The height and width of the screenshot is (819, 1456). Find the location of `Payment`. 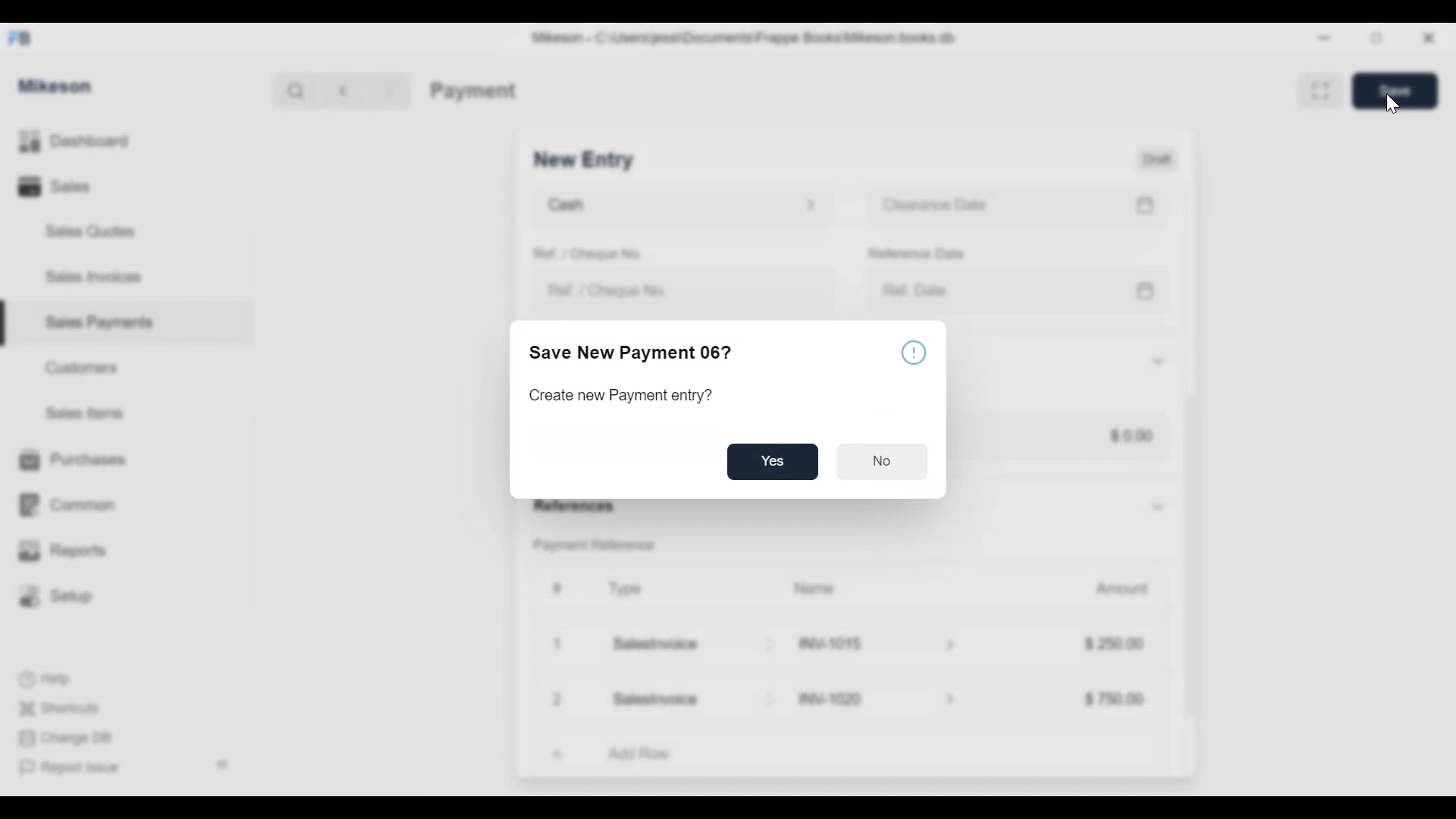

Payment is located at coordinates (472, 89).